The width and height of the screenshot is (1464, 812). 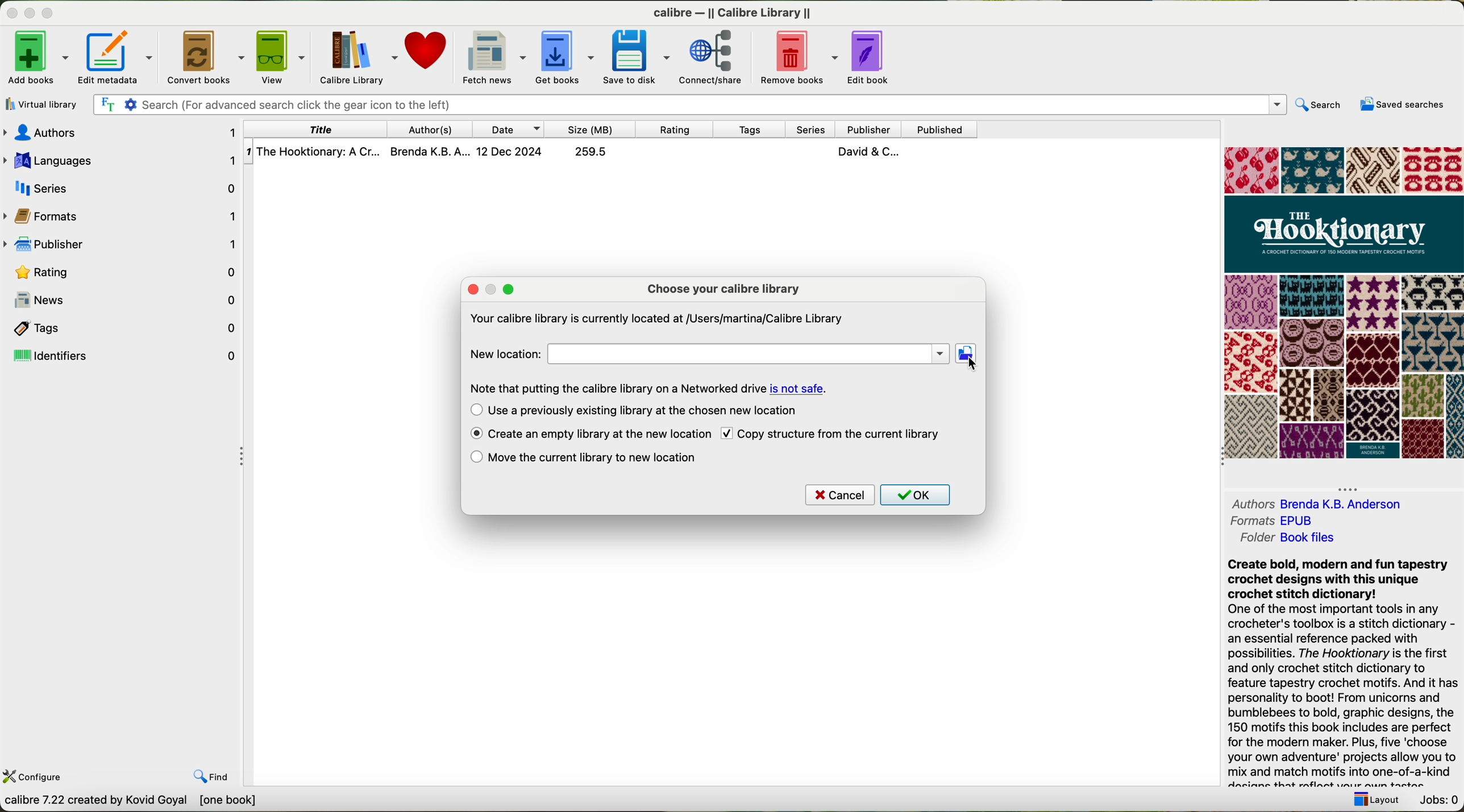 I want to click on languages, so click(x=121, y=159).